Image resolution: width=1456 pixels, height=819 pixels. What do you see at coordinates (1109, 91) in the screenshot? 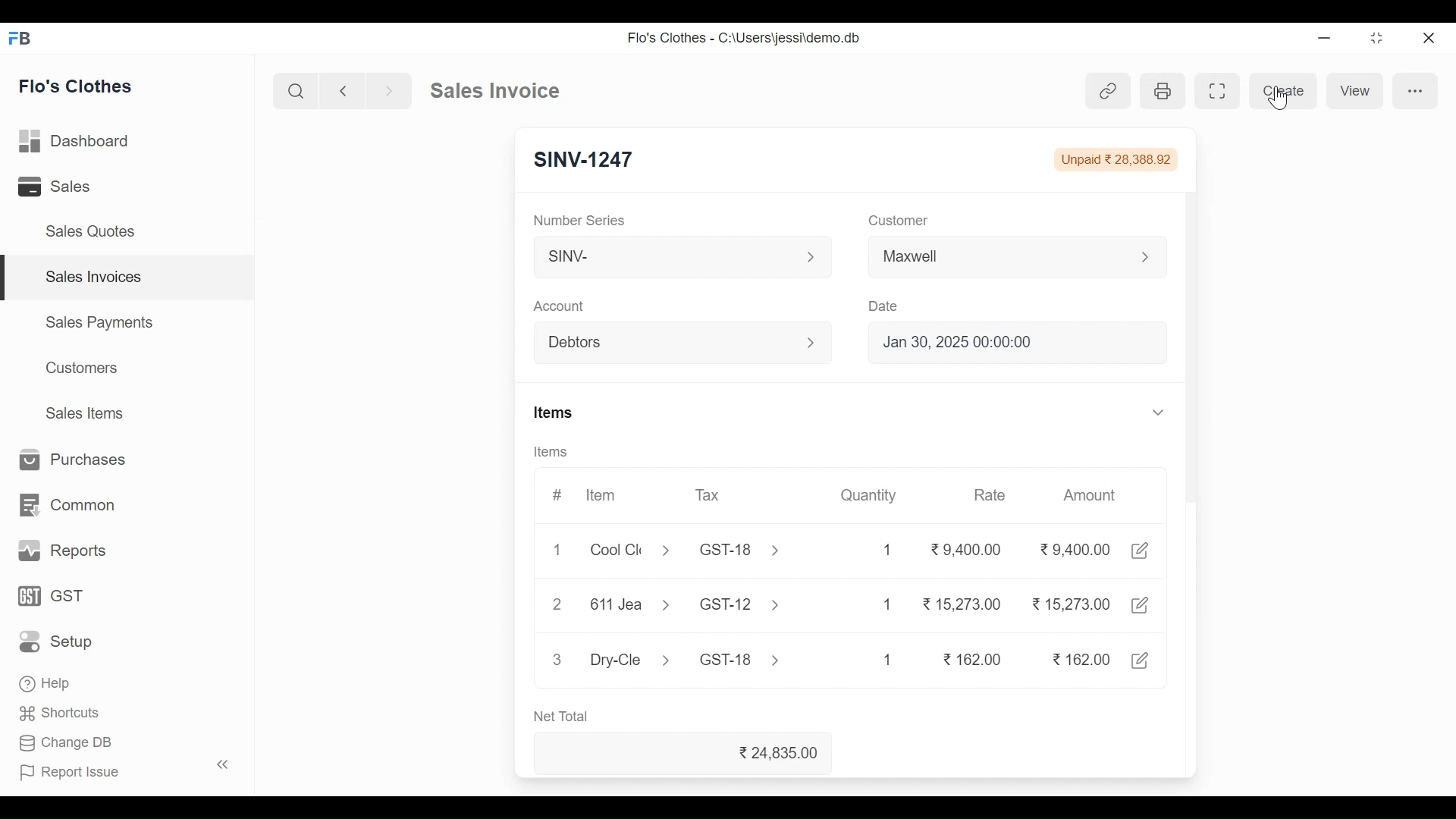
I see `View link references` at bounding box center [1109, 91].